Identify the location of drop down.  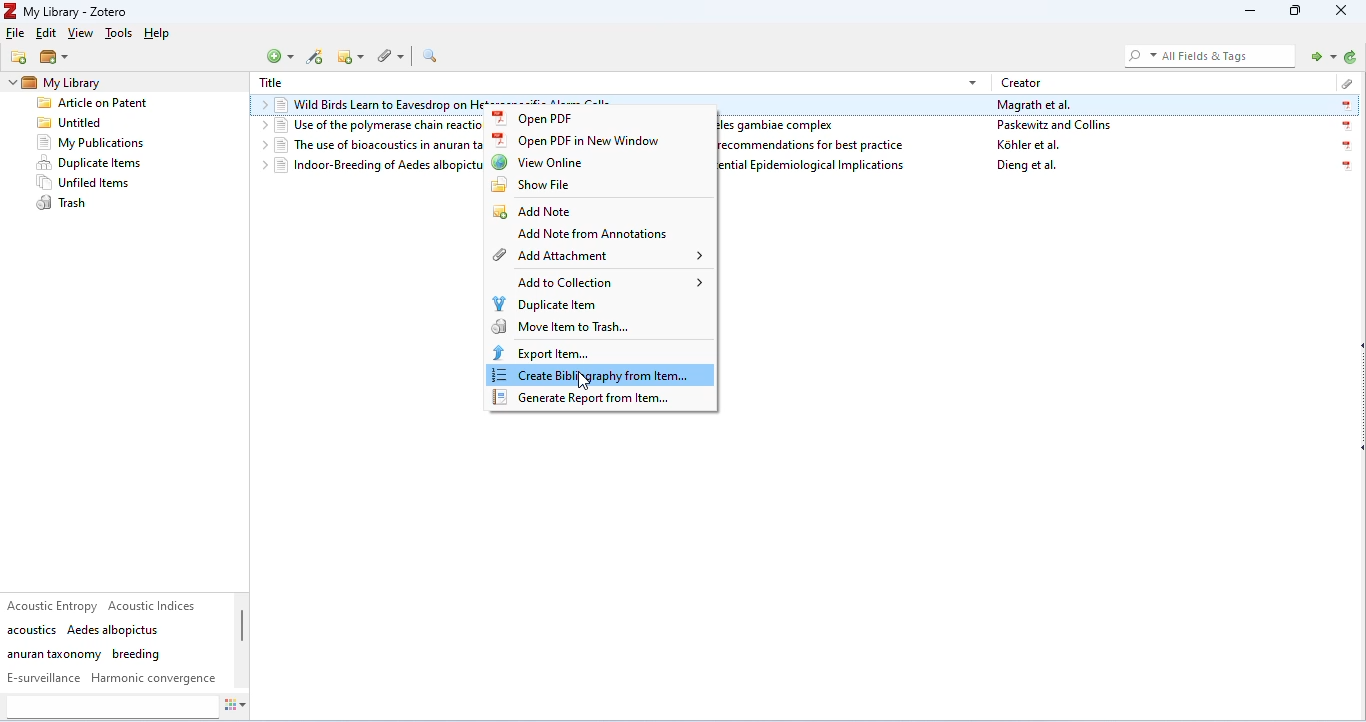
(261, 107).